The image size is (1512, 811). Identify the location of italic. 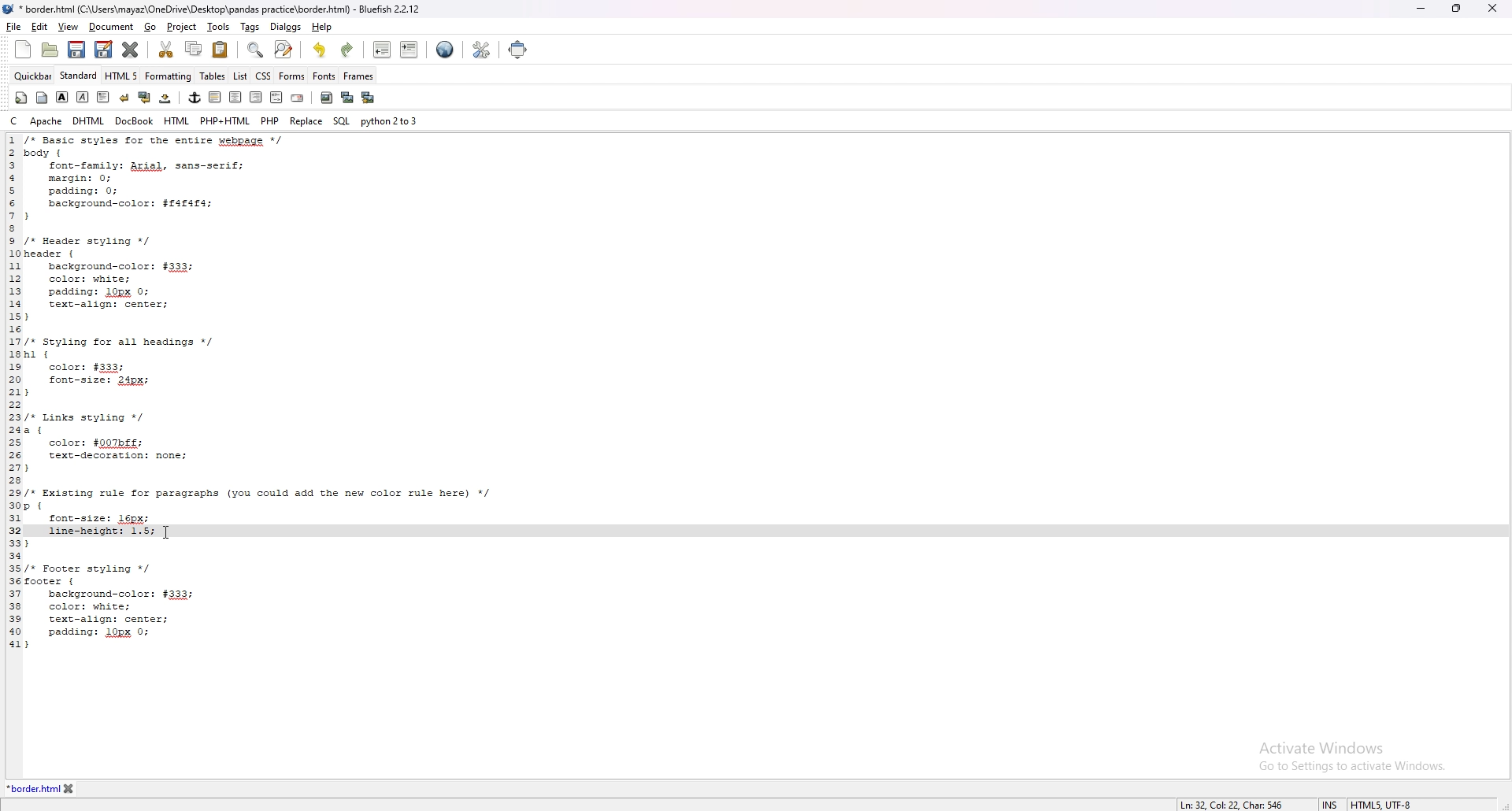
(83, 97).